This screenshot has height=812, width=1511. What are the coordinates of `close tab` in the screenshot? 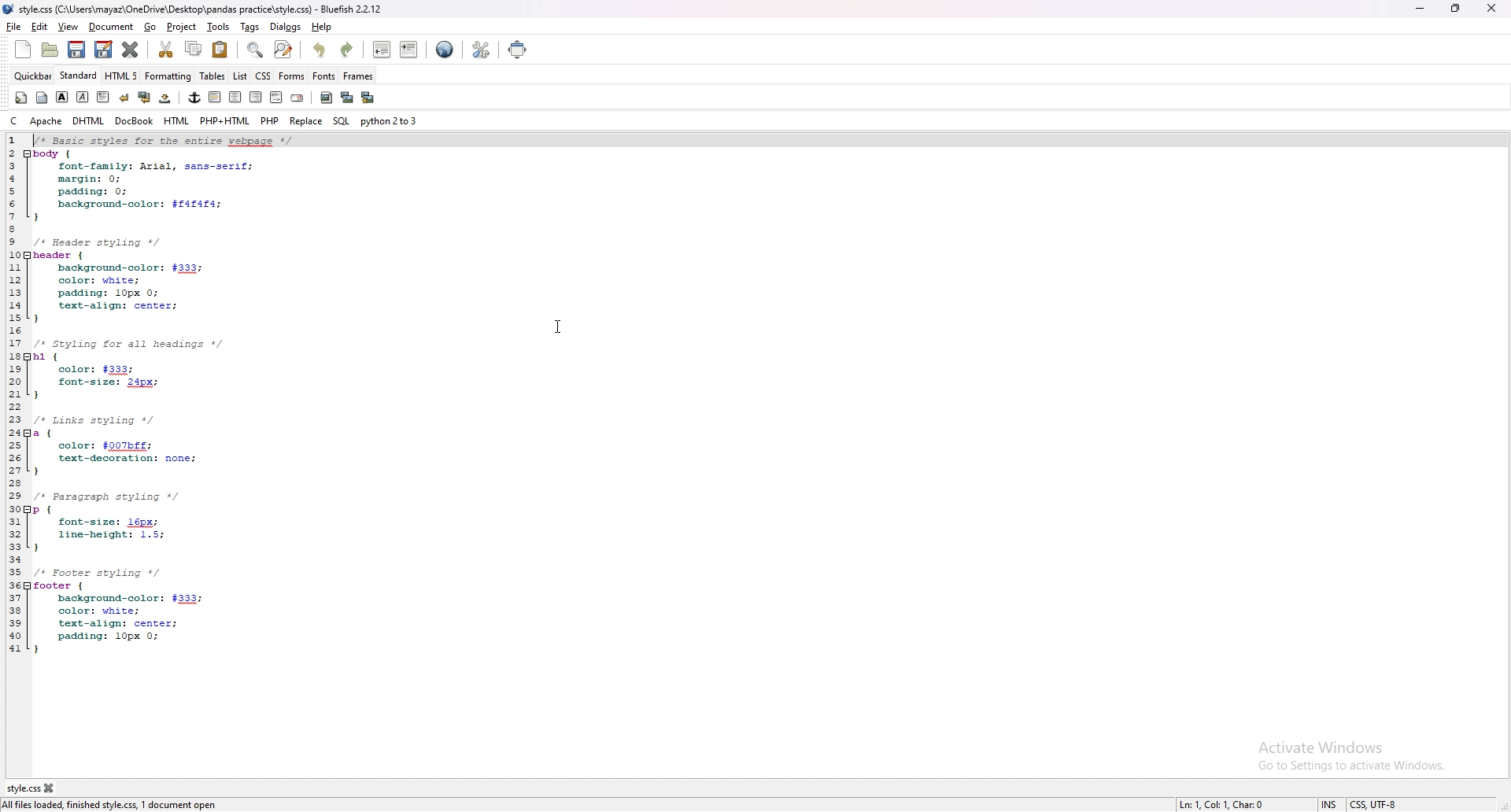 It's located at (50, 788).